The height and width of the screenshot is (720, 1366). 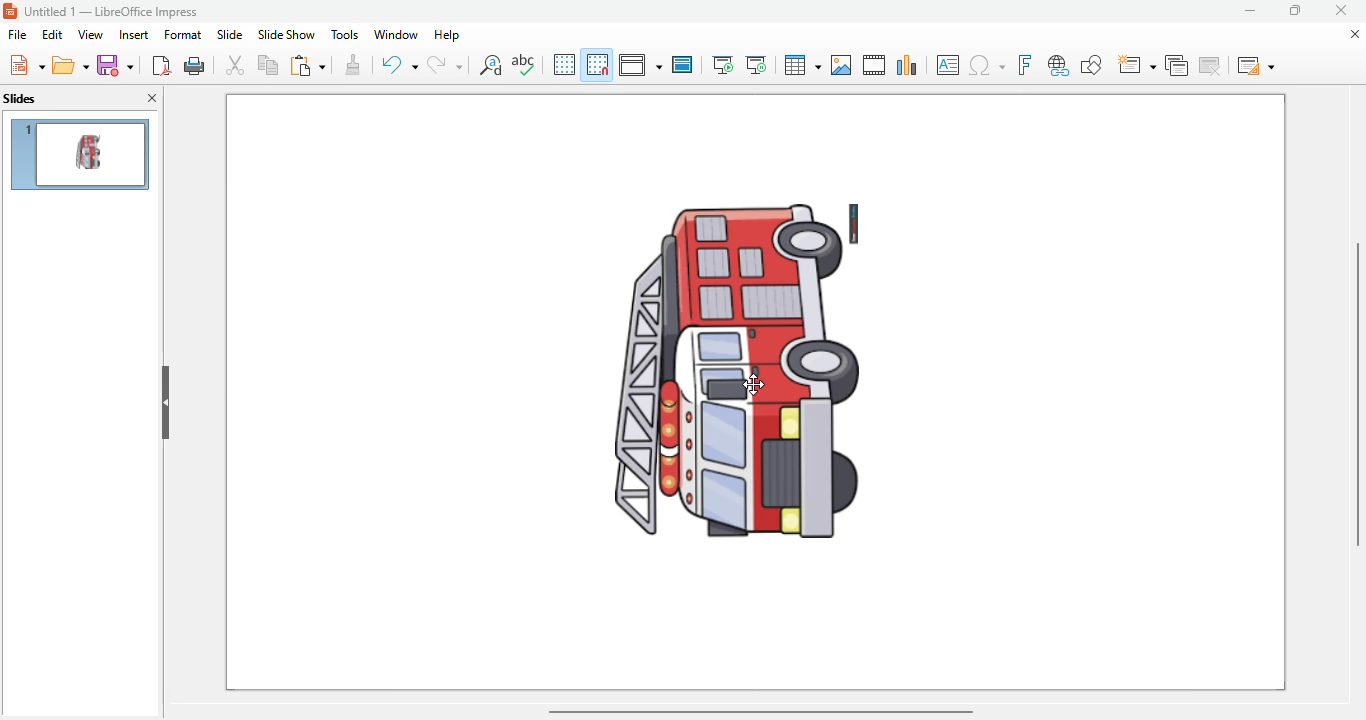 What do you see at coordinates (987, 65) in the screenshot?
I see `insert special characters` at bounding box center [987, 65].